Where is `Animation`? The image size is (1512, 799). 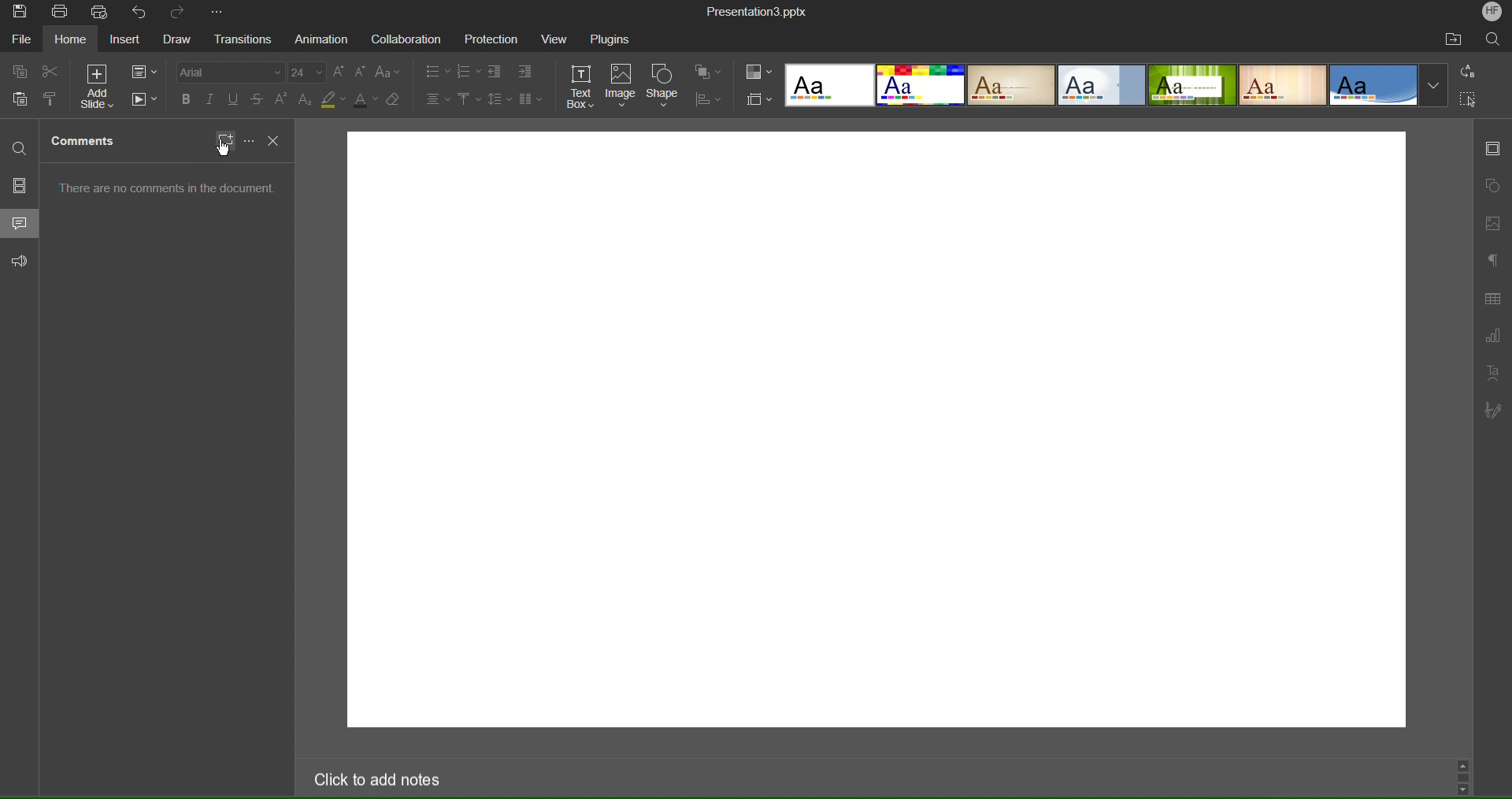
Animation is located at coordinates (324, 41).